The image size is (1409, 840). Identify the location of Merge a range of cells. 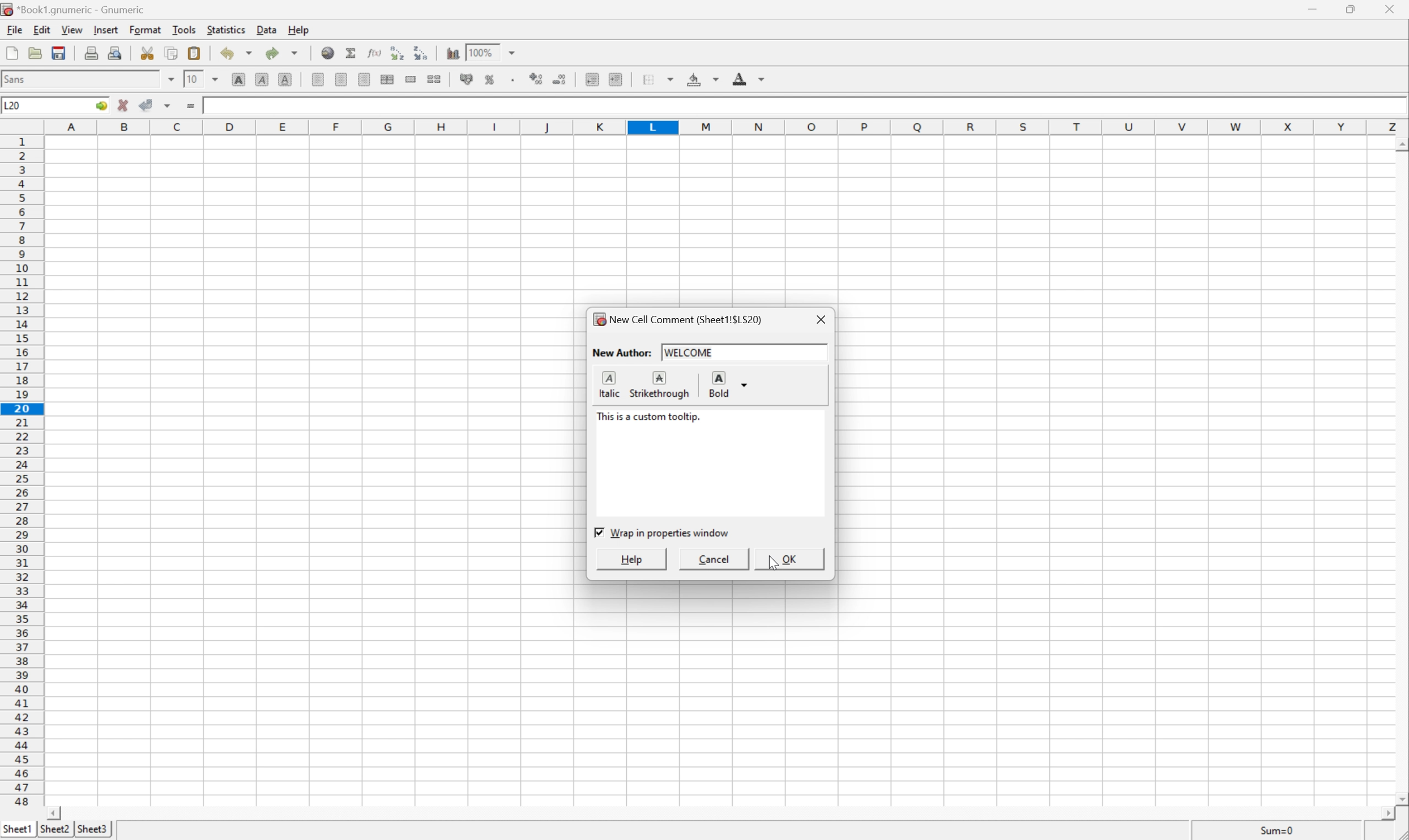
(411, 80).